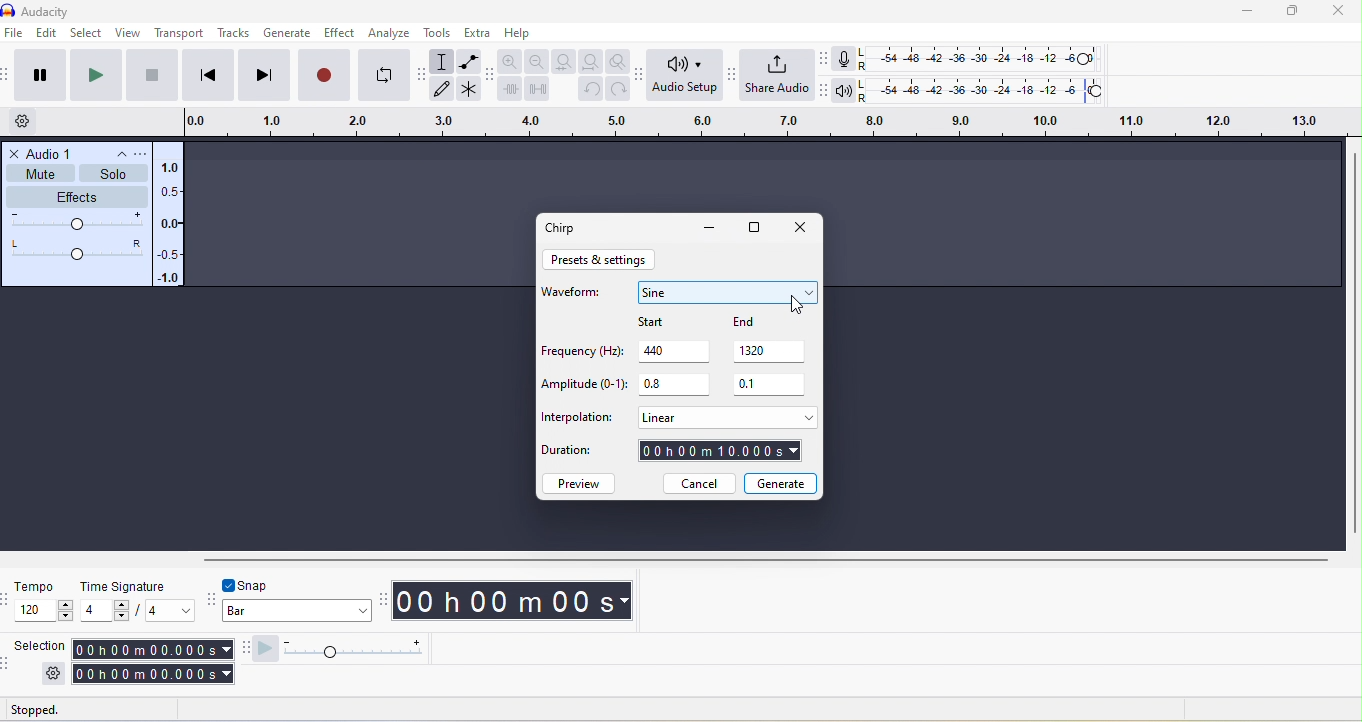 Image resolution: width=1362 pixels, height=722 pixels. What do you see at coordinates (779, 75) in the screenshot?
I see `share audio` at bounding box center [779, 75].